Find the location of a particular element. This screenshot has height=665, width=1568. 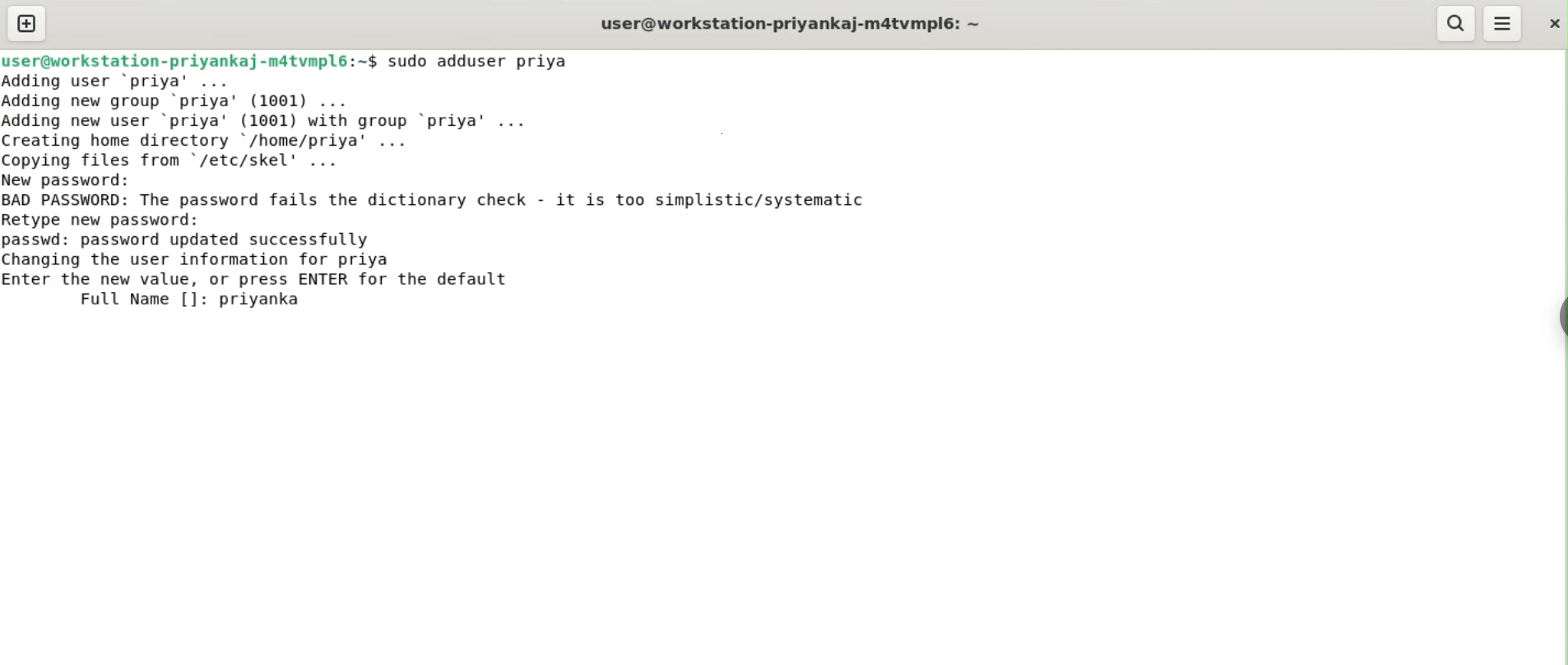

search is located at coordinates (1457, 24).